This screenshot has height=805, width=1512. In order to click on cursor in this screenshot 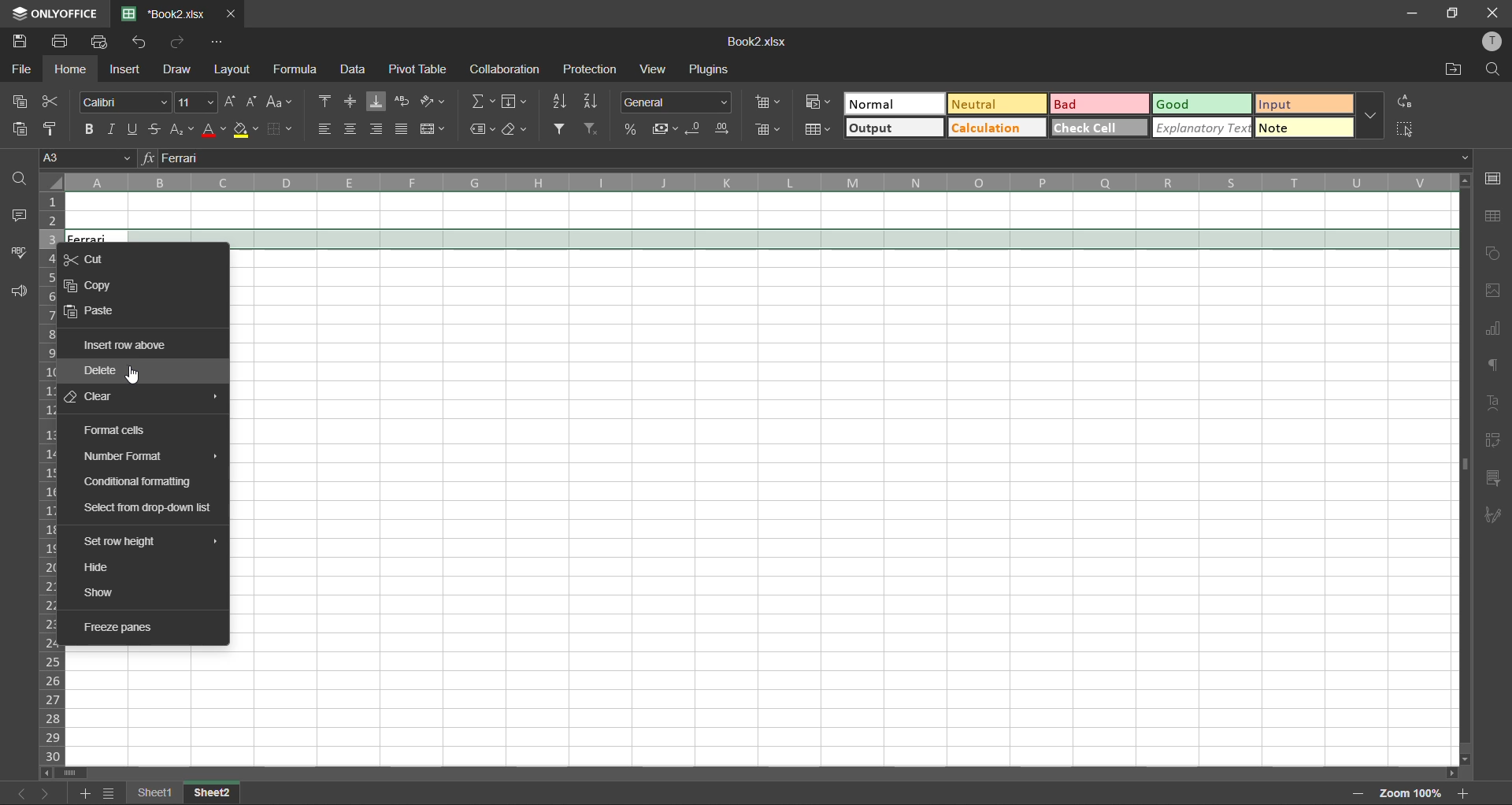, I will do `click(137, 374)`.